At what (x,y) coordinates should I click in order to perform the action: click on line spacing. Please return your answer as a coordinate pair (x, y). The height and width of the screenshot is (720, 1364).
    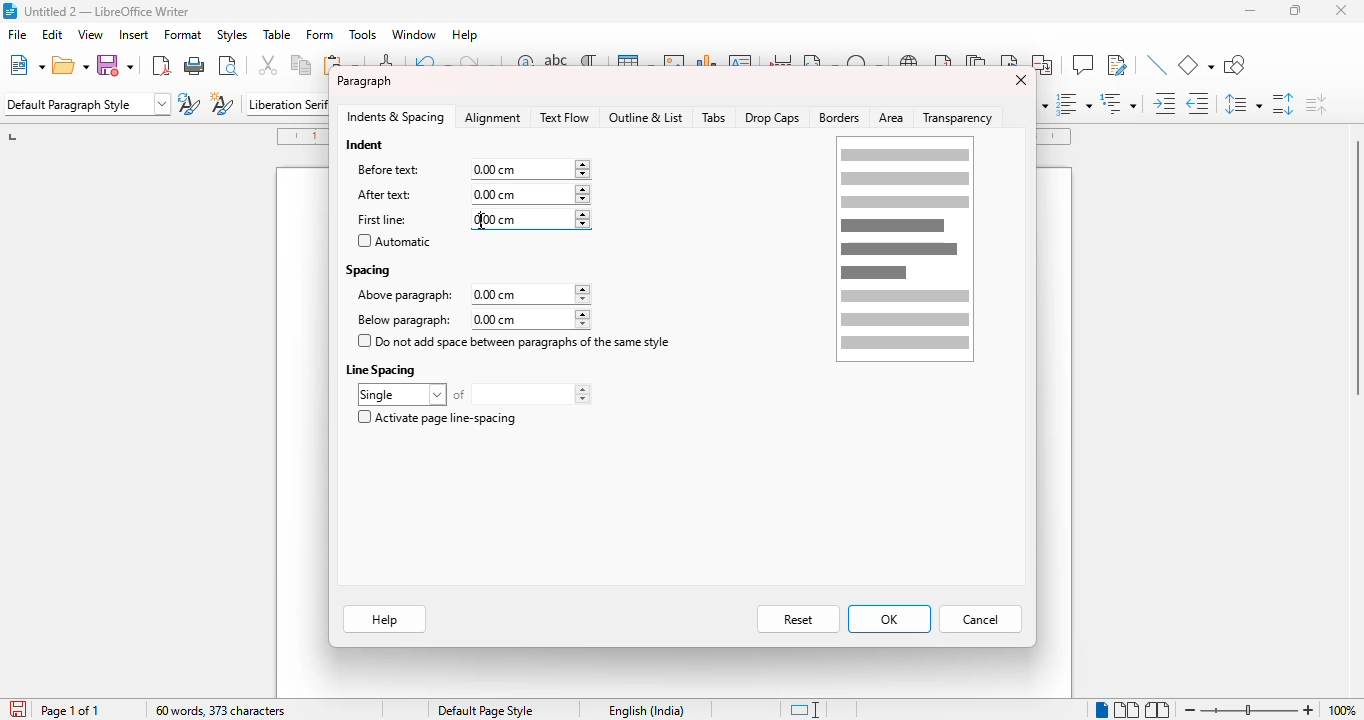
    Looking at the image, I should click on (383, 369).